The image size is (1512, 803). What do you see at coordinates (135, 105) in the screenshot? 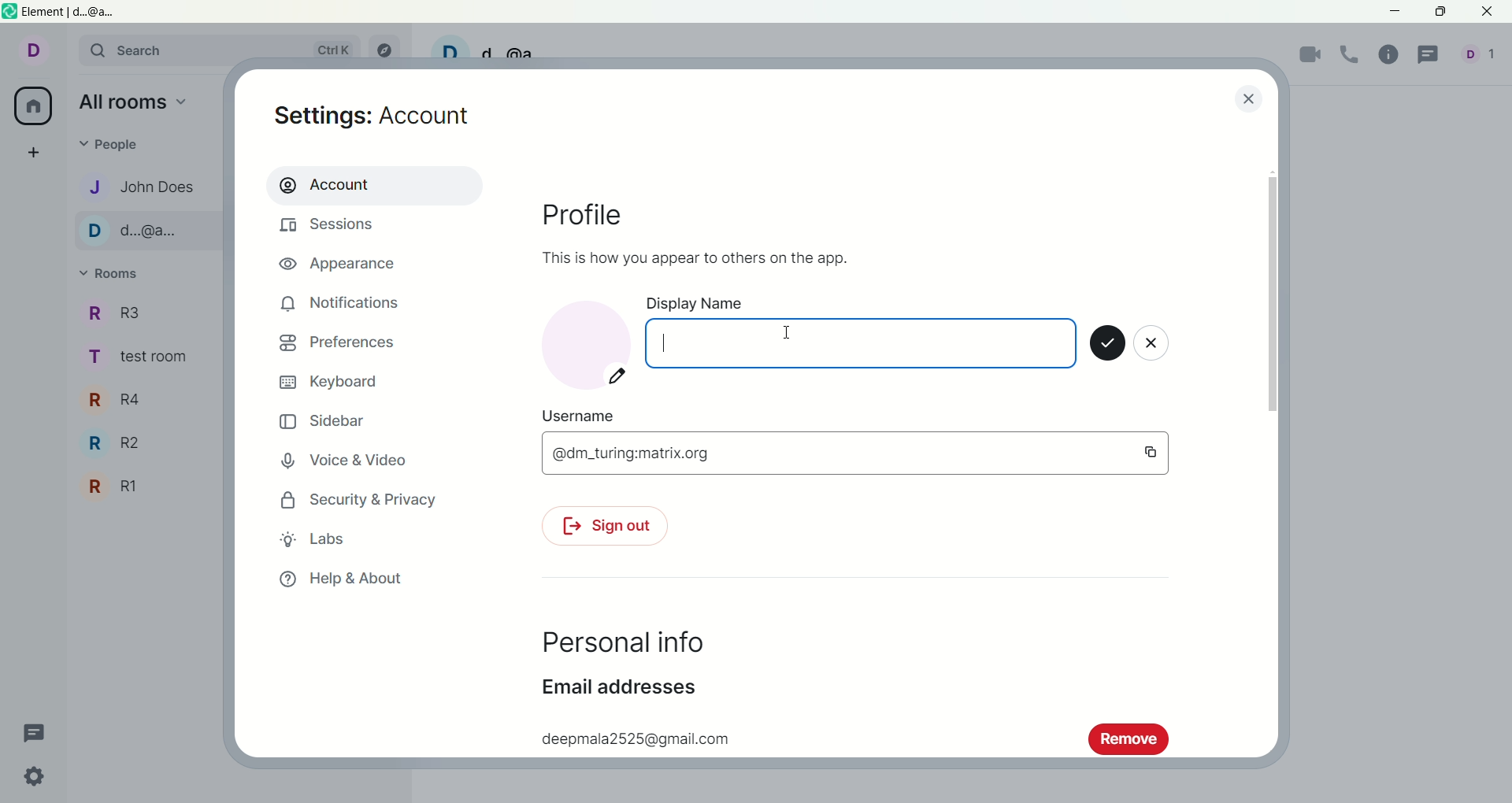
I see `all rooms` at bounding box center [135, 105].